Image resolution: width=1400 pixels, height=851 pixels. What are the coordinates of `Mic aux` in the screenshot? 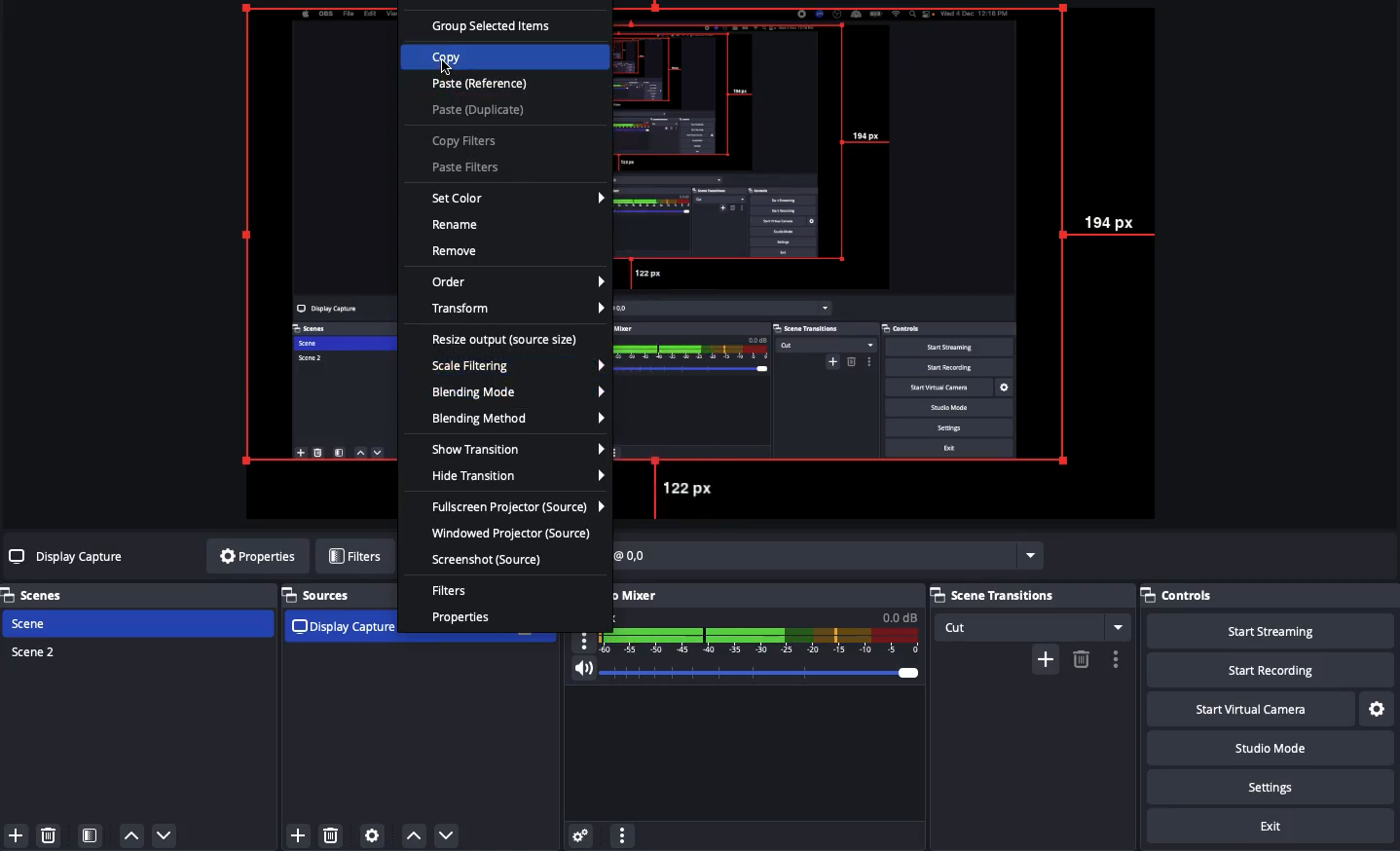 It's located at (746, 630).